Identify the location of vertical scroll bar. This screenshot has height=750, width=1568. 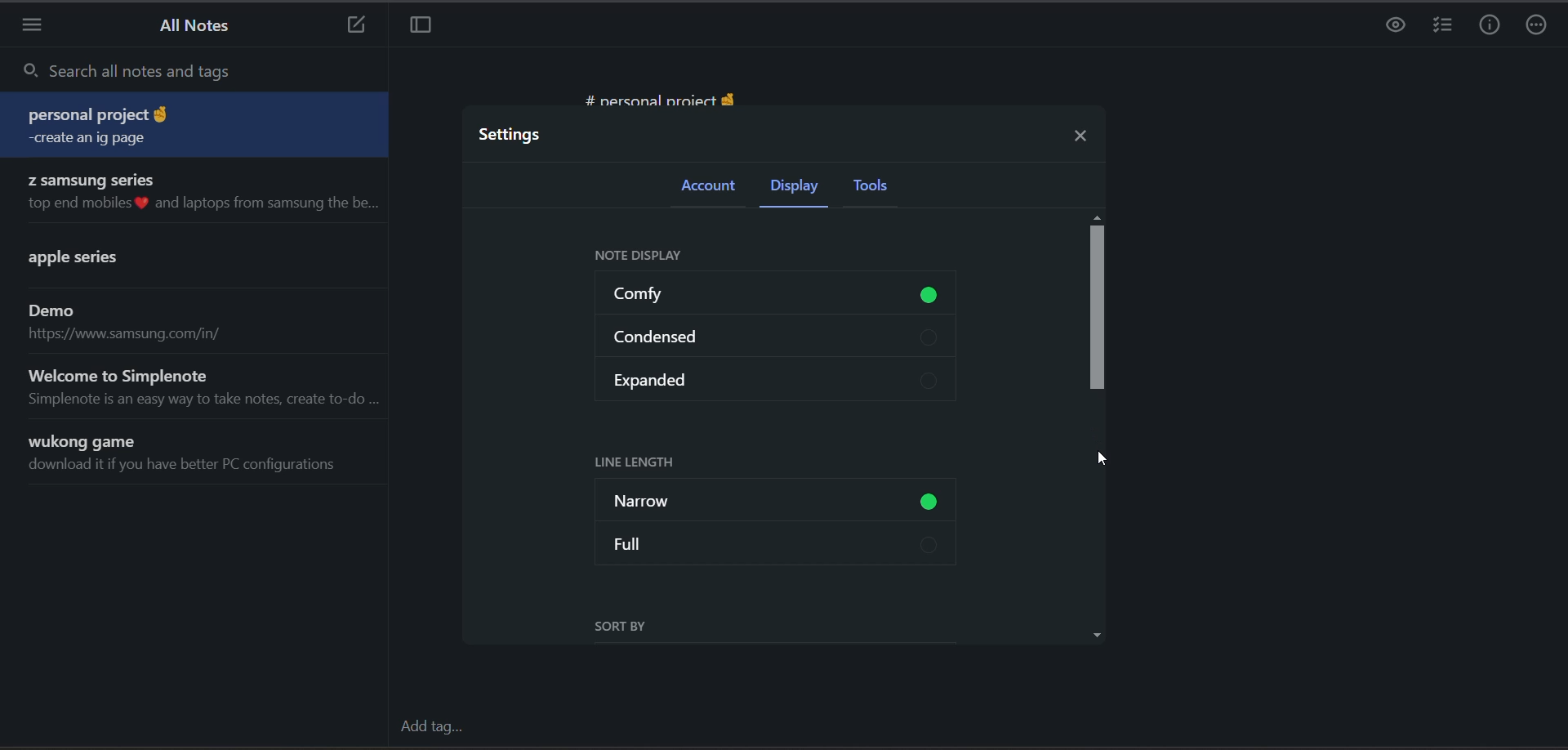
(1098, 310).